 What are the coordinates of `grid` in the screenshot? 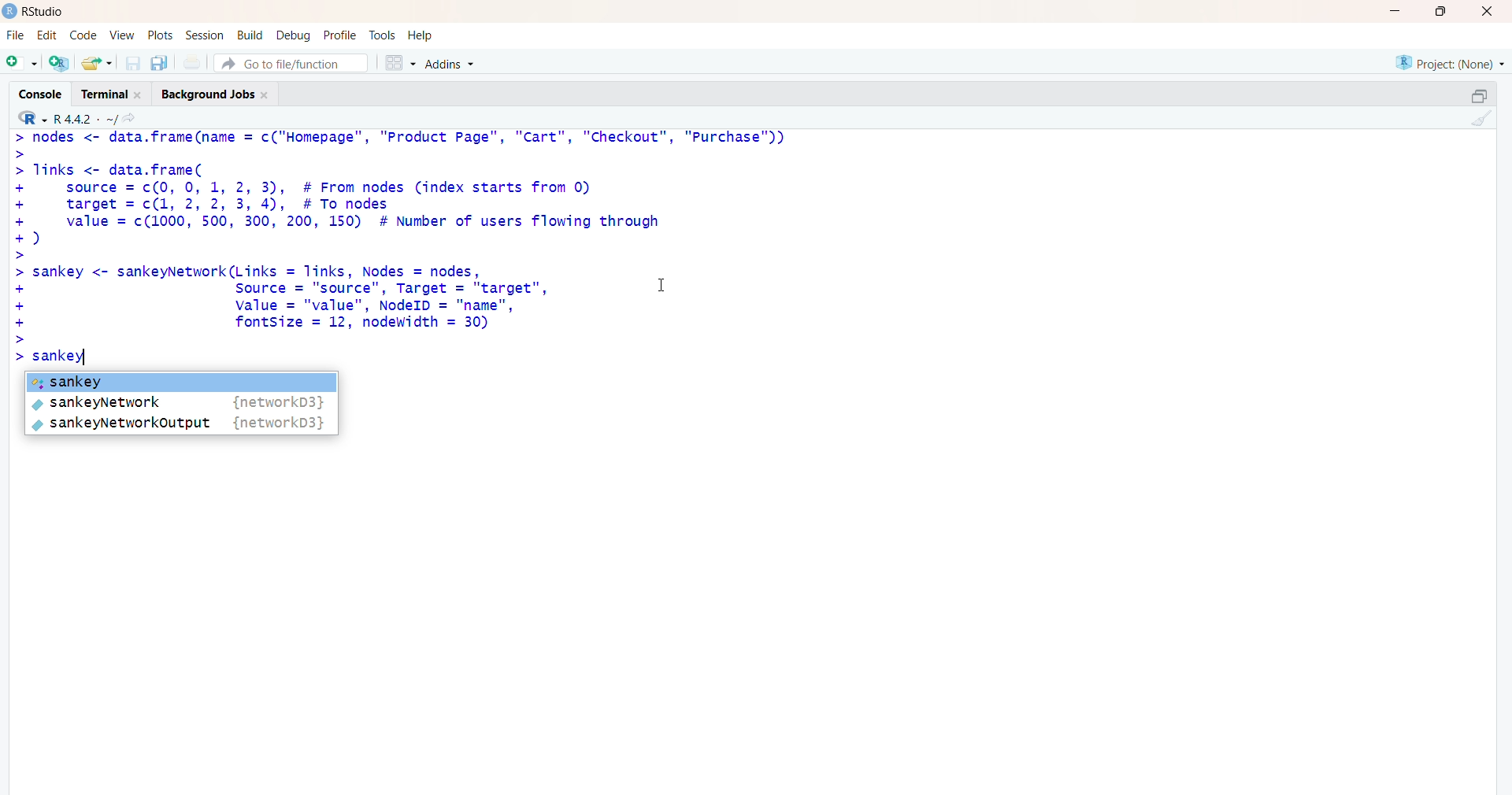 It's located at (396, 64).